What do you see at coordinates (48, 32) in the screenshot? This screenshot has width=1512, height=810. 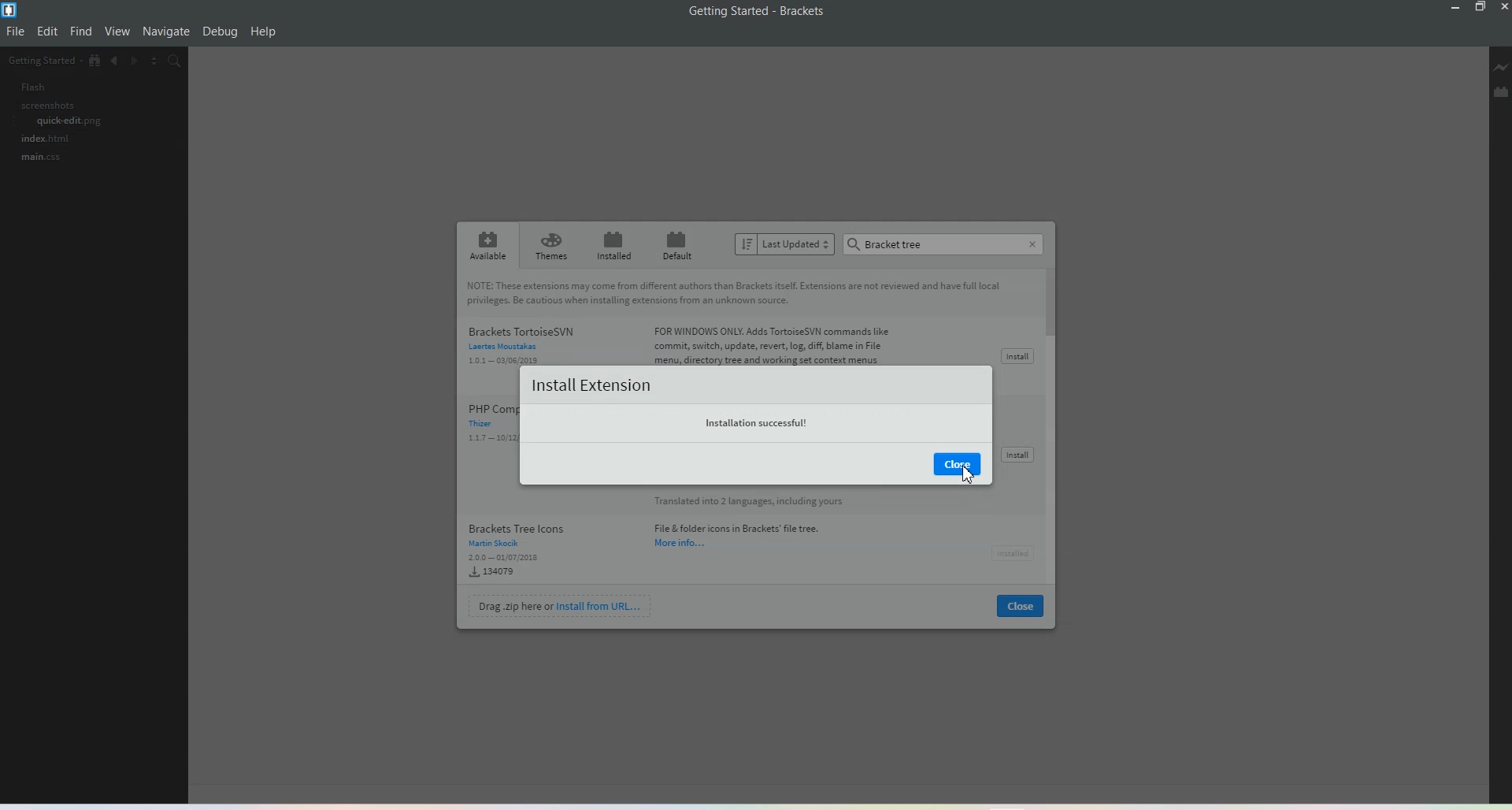 I see `Edit` at bounding box center [48, 32].